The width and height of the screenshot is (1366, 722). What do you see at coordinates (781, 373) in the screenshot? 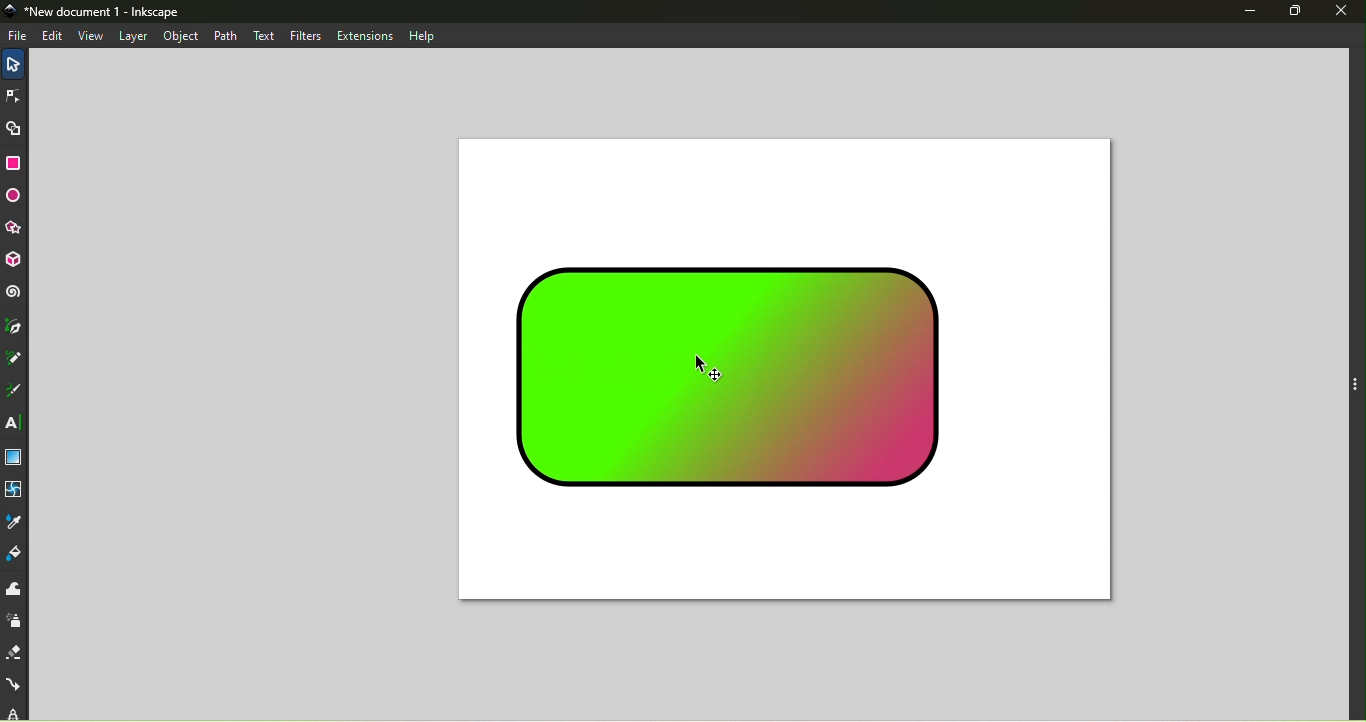
I see `Canvas` at bounding box center [781, 373].